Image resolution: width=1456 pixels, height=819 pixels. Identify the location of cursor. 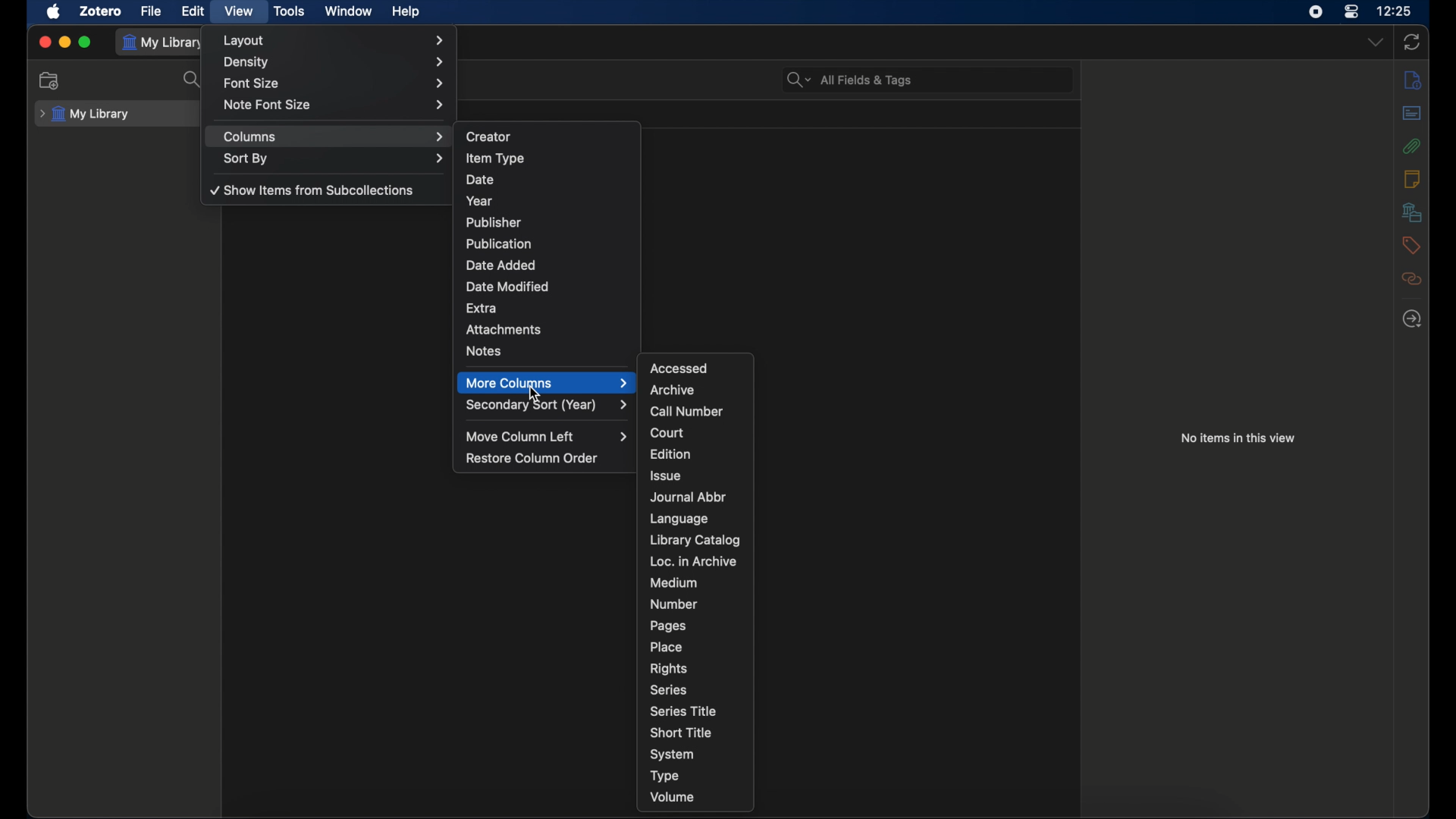
(537, 394).